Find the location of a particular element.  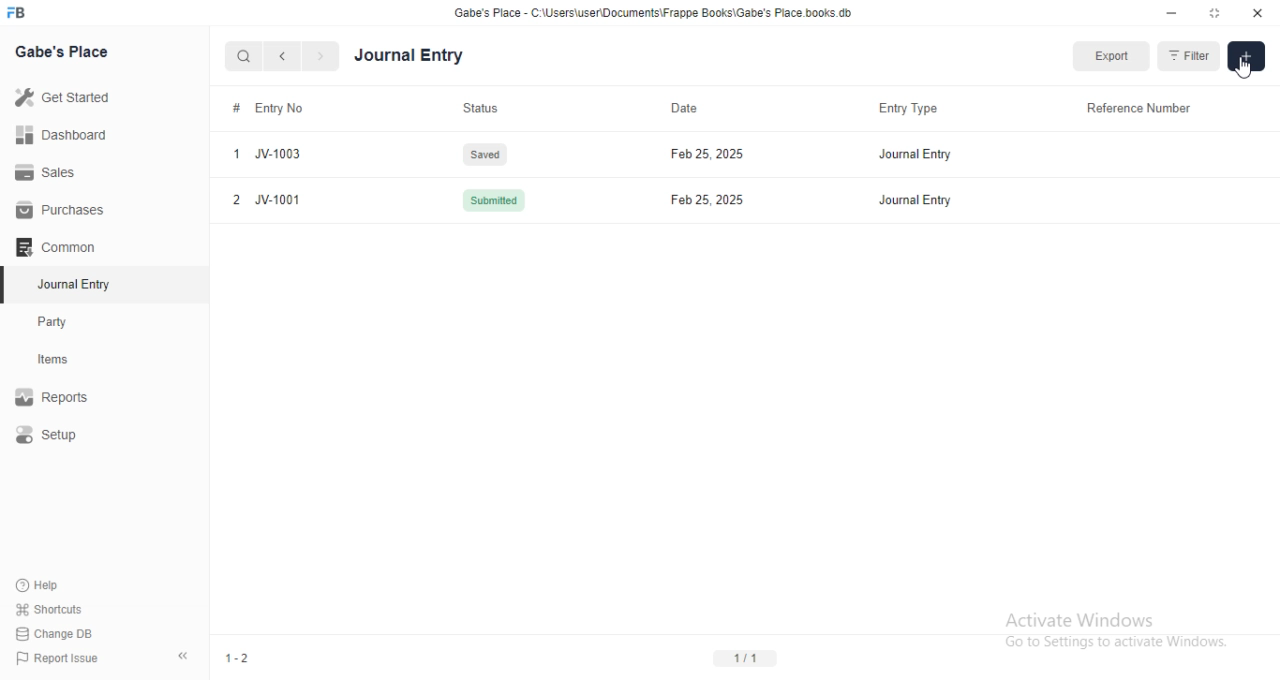

Sales is located at coordinates (49, 174).